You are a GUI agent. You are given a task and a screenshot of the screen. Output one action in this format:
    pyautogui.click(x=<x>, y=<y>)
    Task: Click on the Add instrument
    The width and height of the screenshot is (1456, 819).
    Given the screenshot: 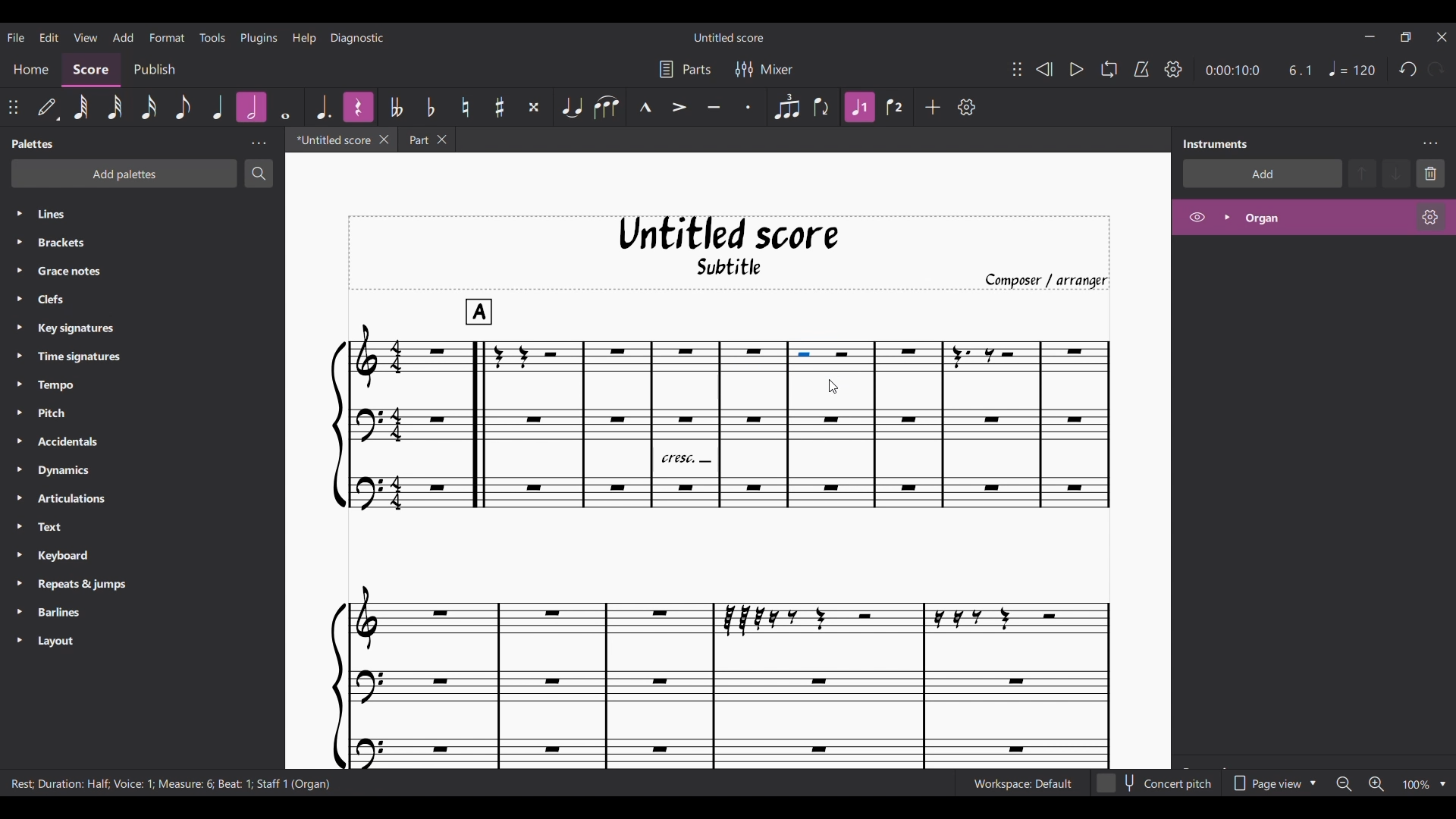 What is the action you would take?
    pyautogui.click(x=1263, y=173)
    